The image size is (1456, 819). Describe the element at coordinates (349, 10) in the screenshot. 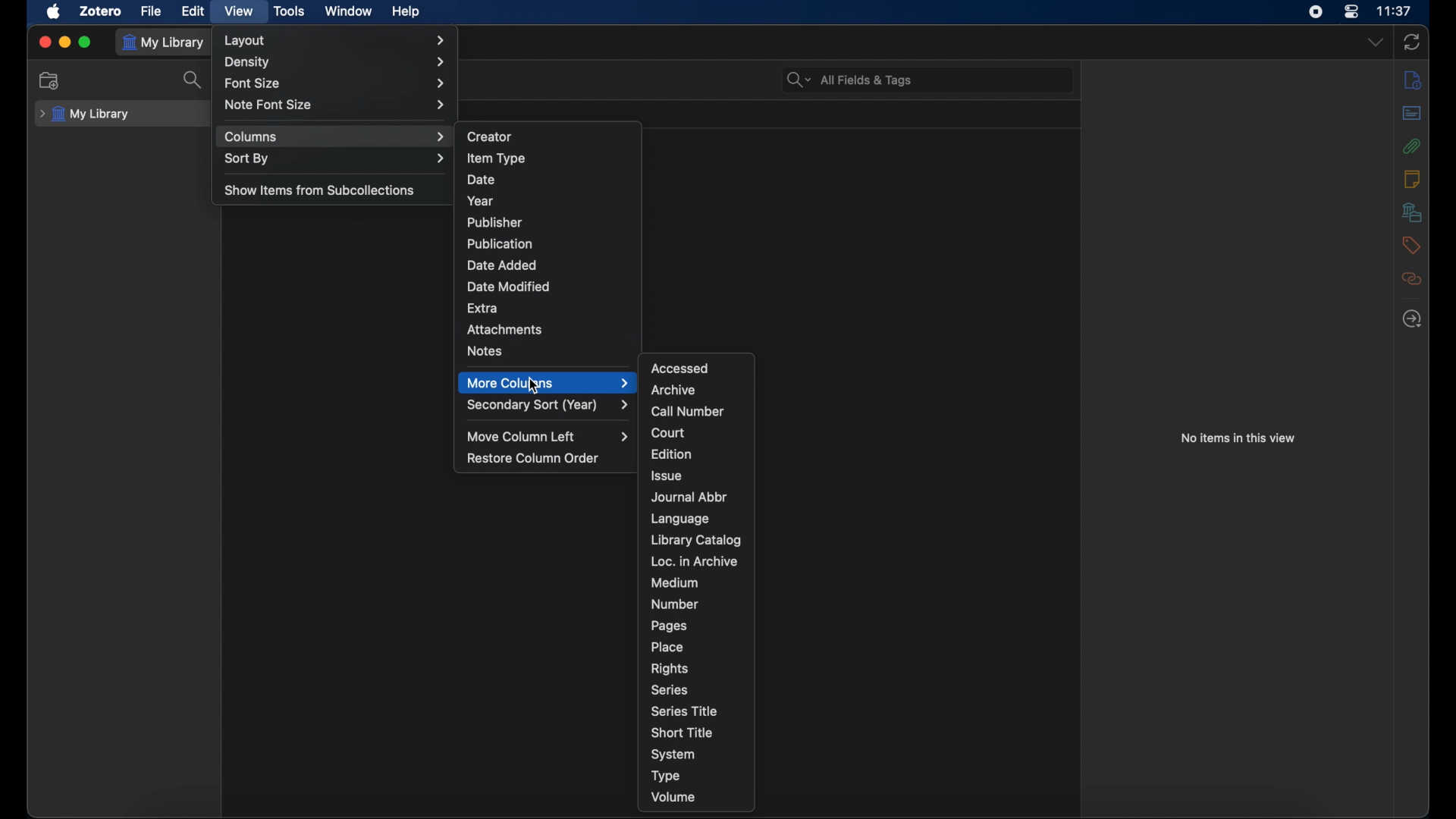

I see `window` at that location.